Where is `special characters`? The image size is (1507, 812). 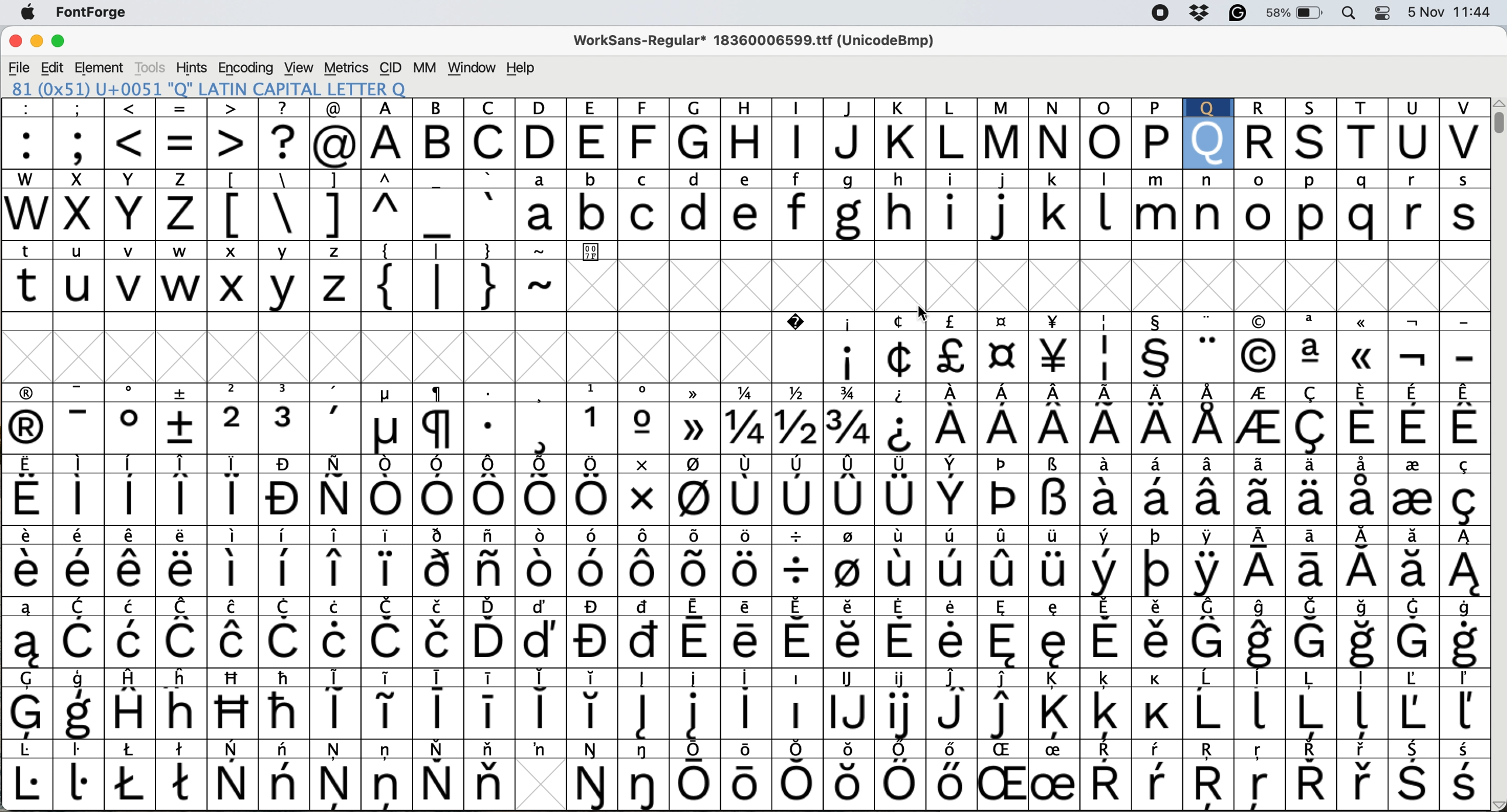
special characters is located at coordinates (746, 429).